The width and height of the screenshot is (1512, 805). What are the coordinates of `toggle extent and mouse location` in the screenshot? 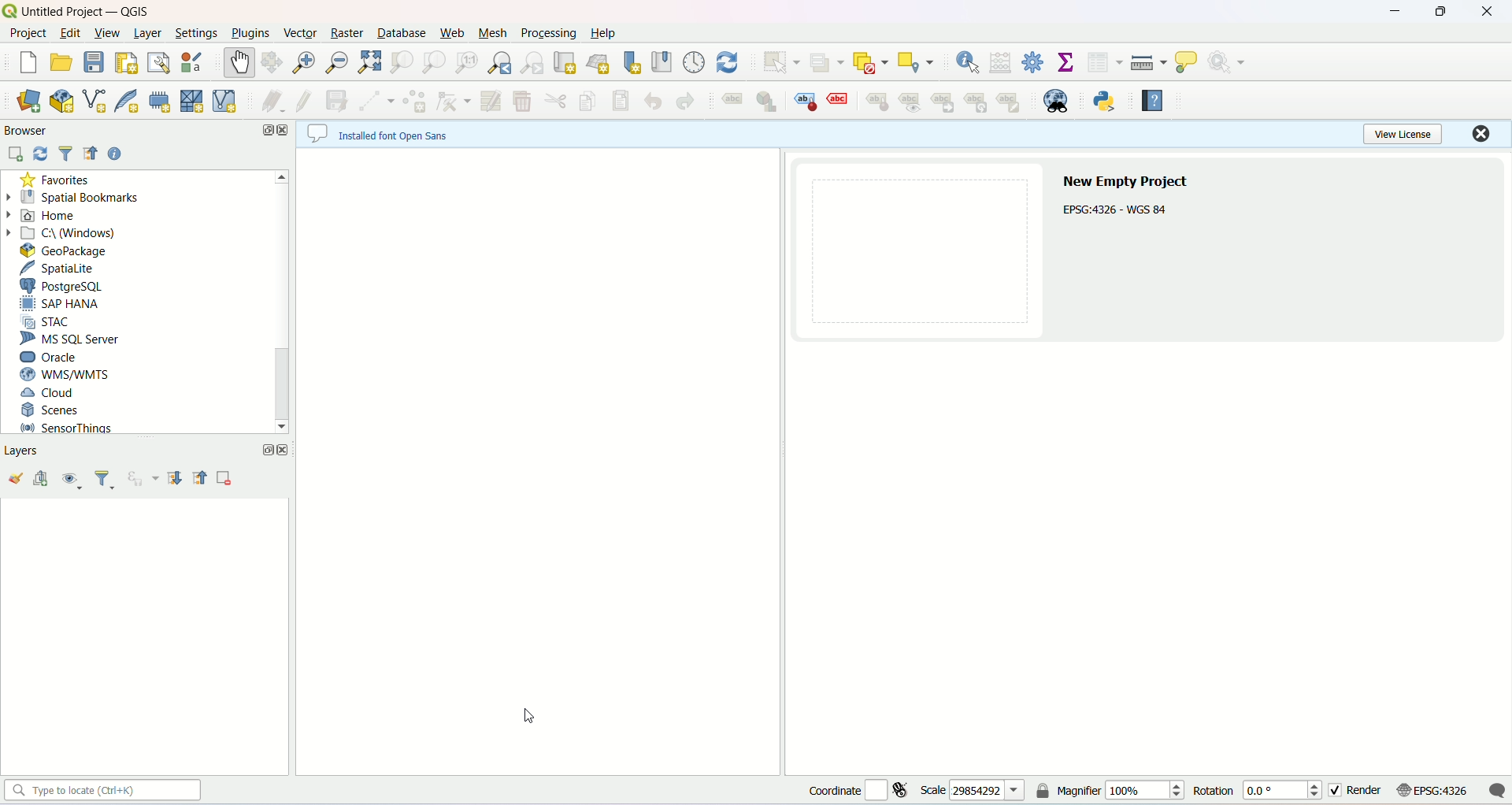 It's located at (903, 793).